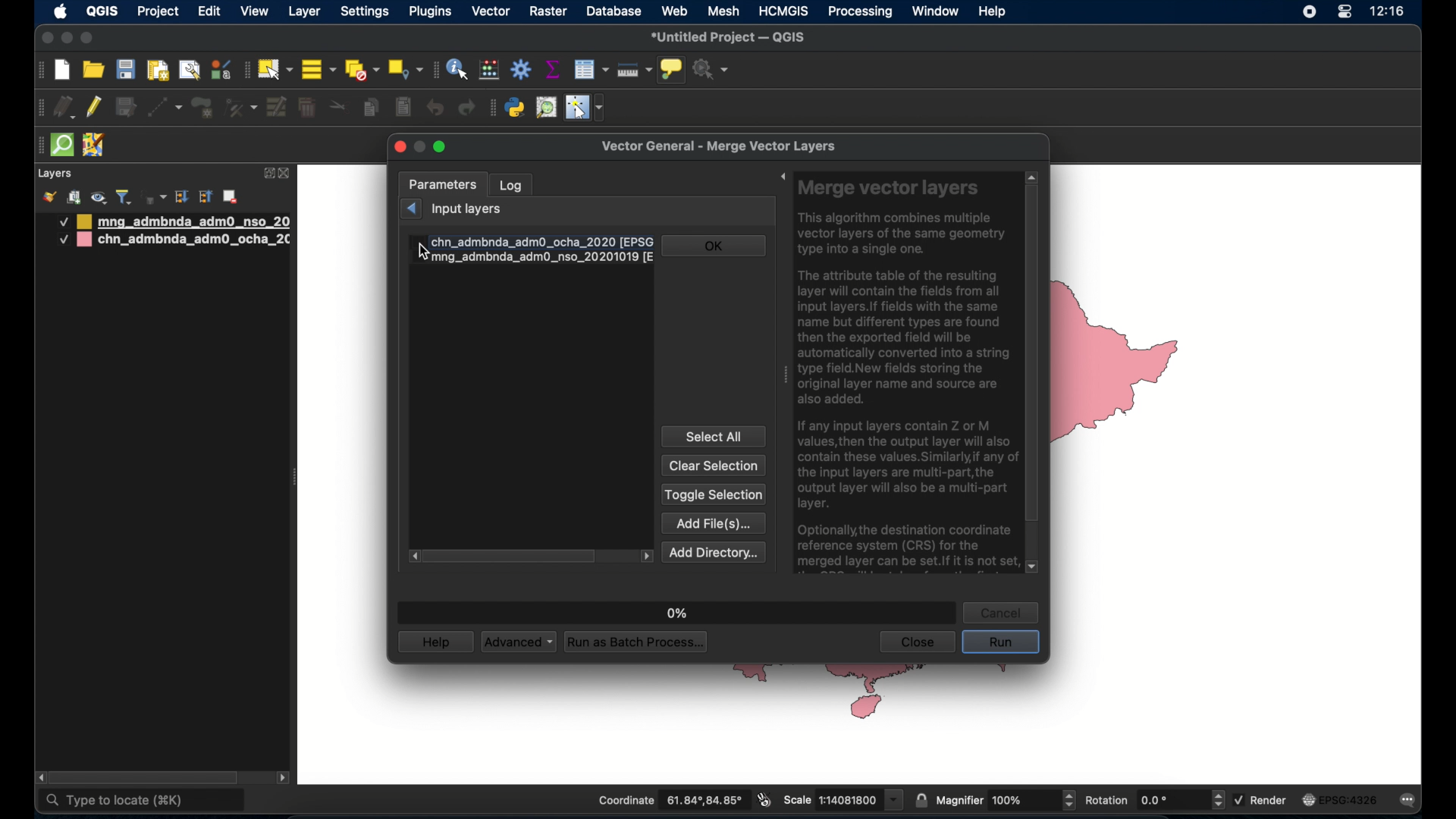 The height and width of the screenshot is (819, 1456). I want to click on select by location , so click(405, 68).